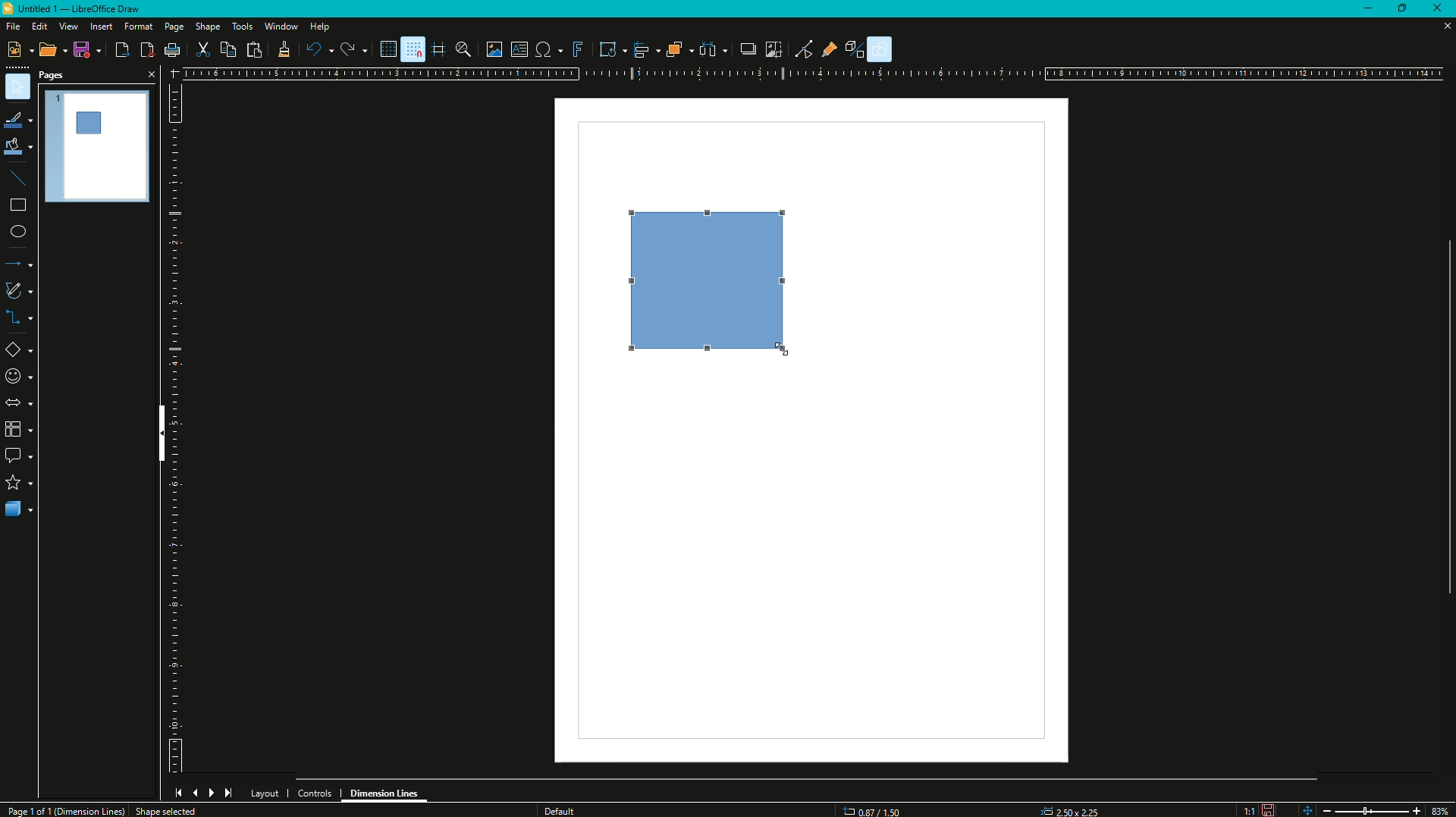 The image size is (1456, 817). What do you see at coordinates (20, 290) in the screenshot?
I see `Sketch` at bounding box center [20, 290].